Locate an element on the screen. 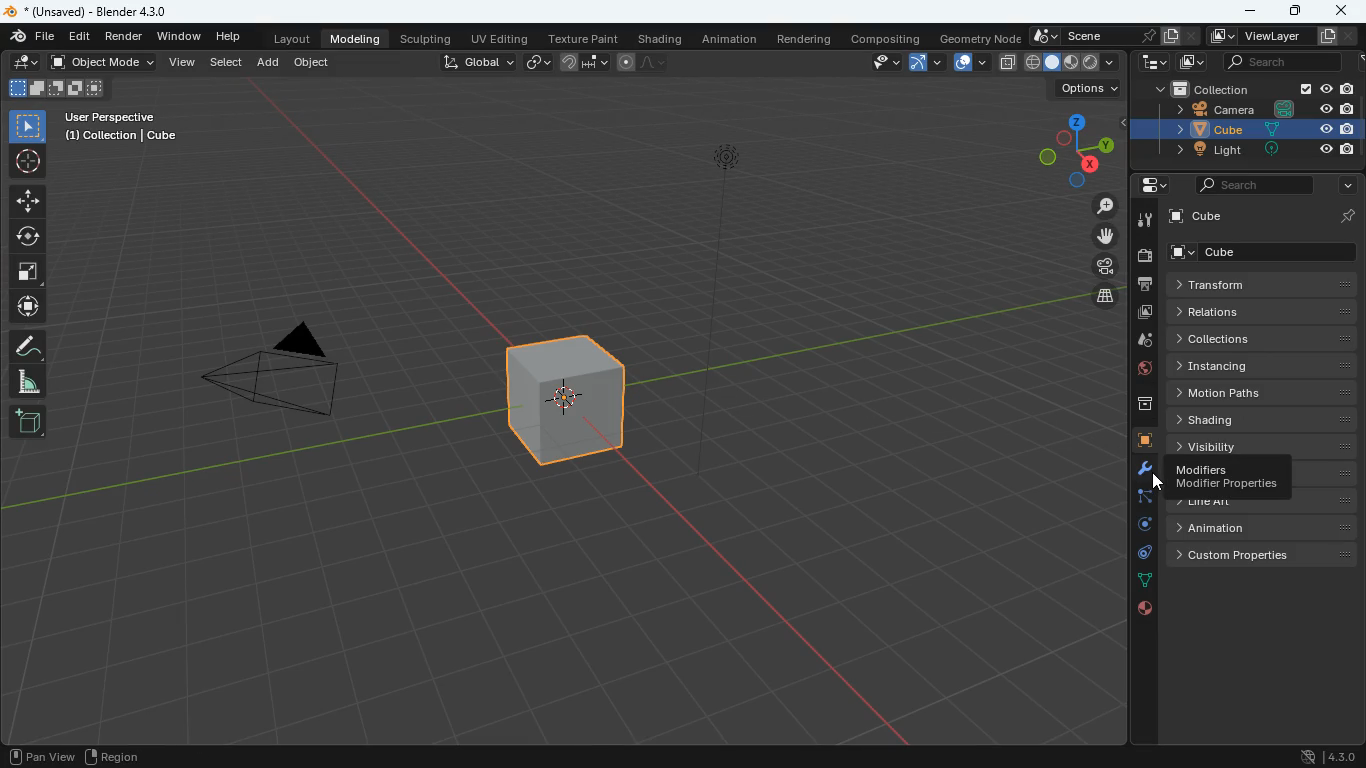  window is located at coordinates (180, 36).